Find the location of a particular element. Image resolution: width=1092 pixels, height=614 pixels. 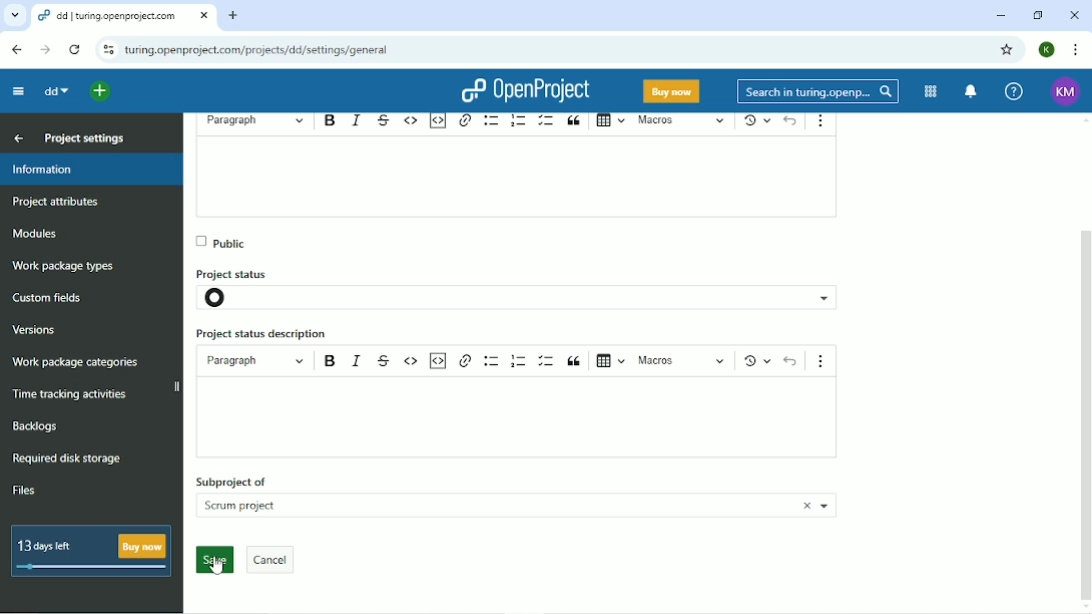

Project attributes is located at coordinates (57, 204).